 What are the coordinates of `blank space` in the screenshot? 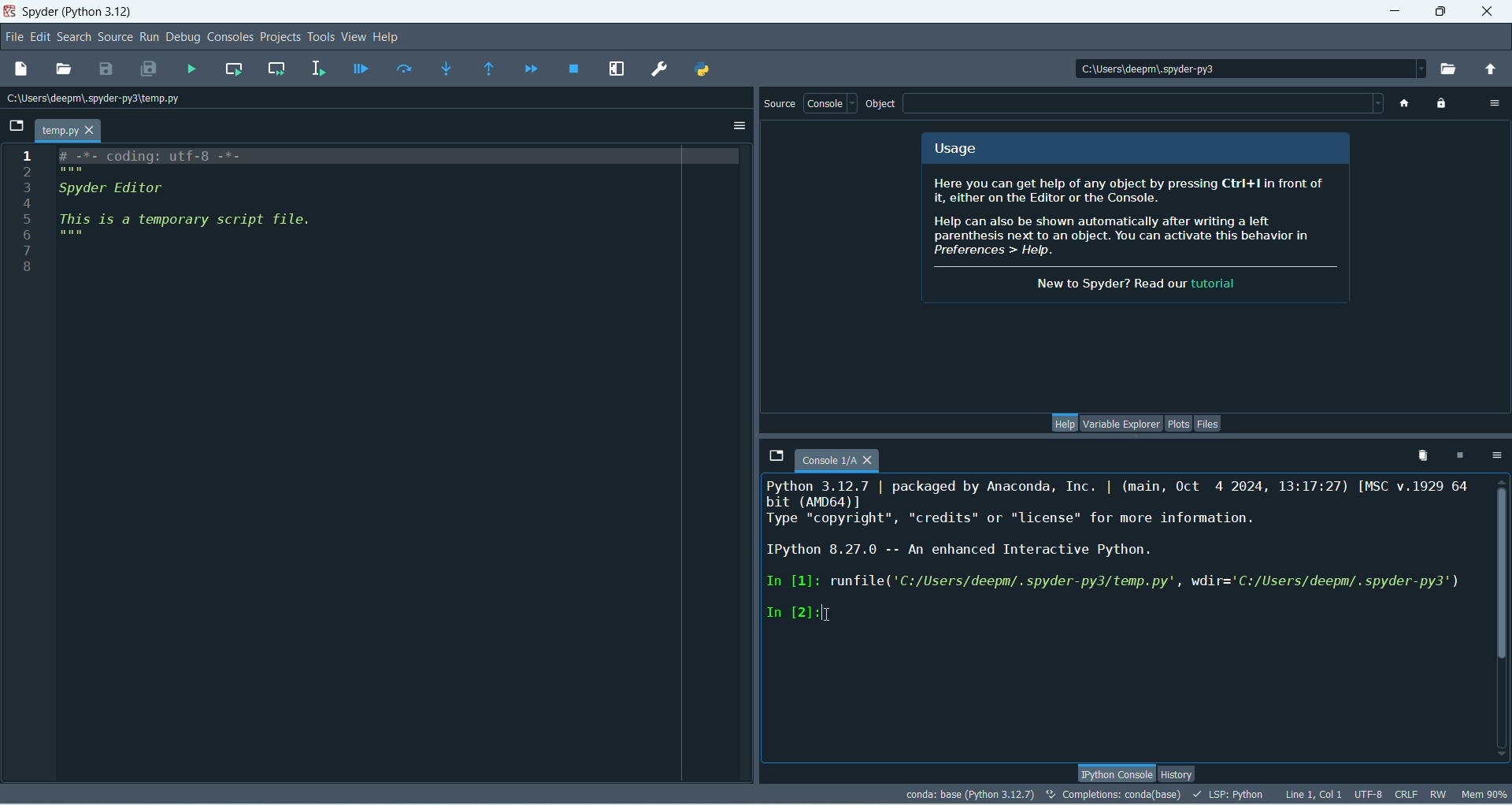 It's located at (1144, 103).